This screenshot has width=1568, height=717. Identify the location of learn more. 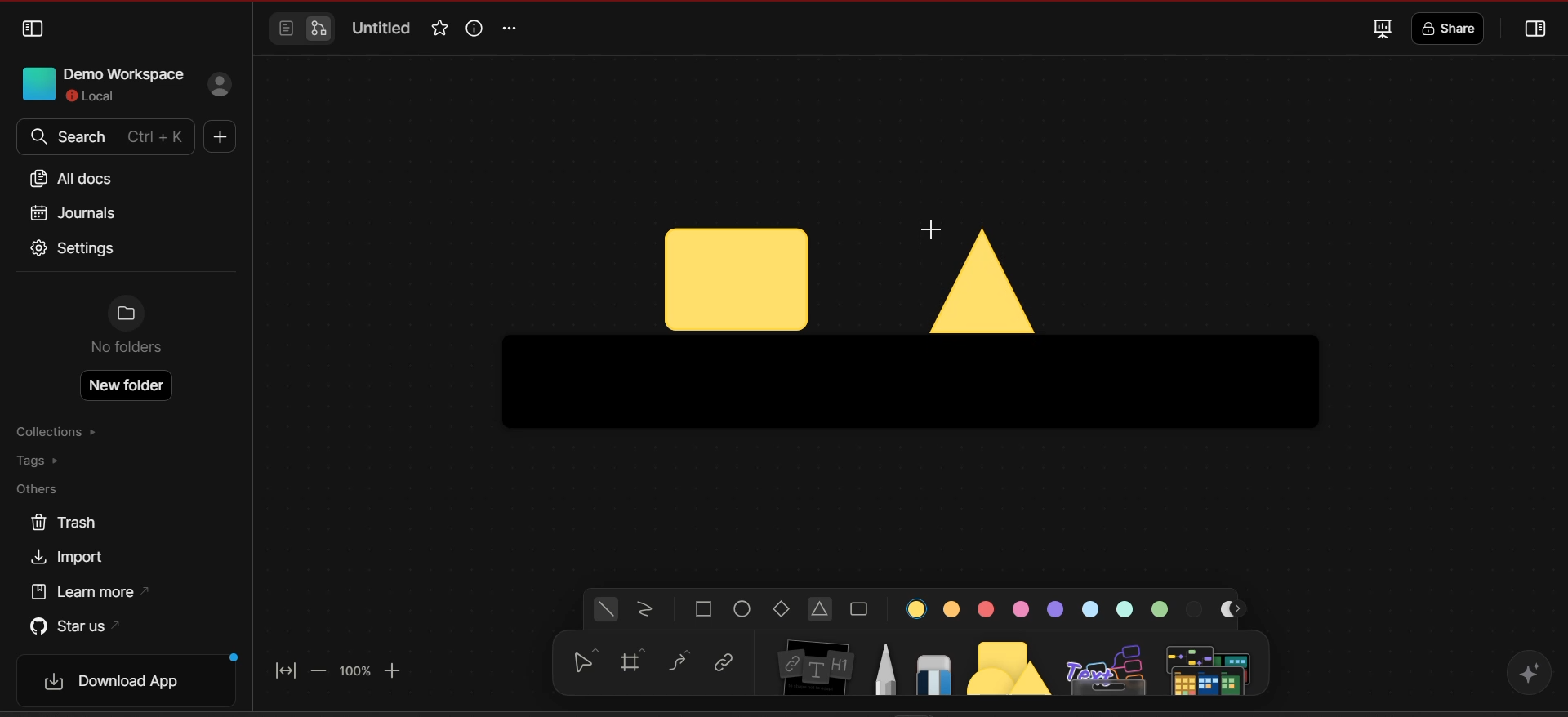
(95, 592).